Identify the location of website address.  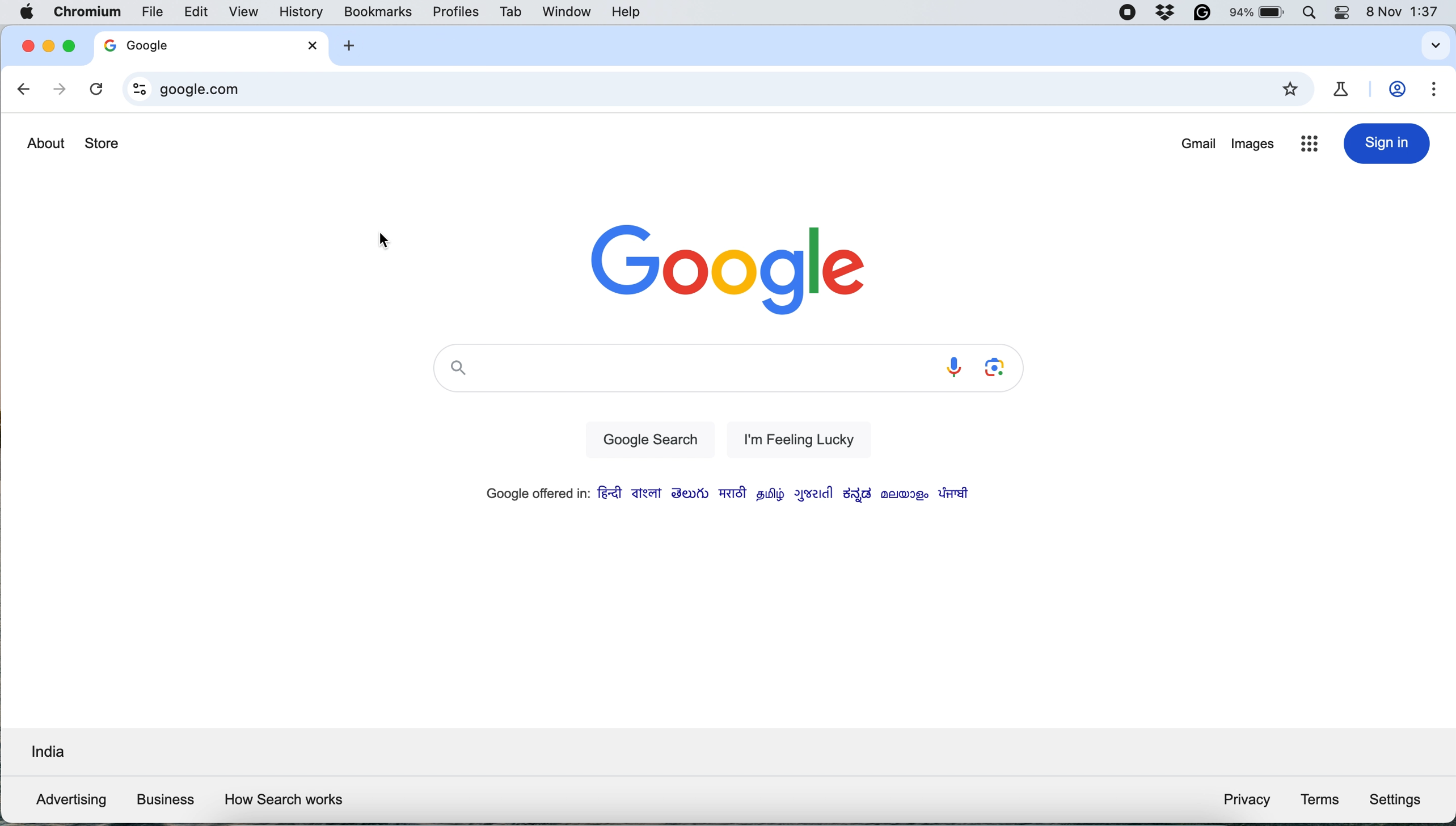
(705, 90).